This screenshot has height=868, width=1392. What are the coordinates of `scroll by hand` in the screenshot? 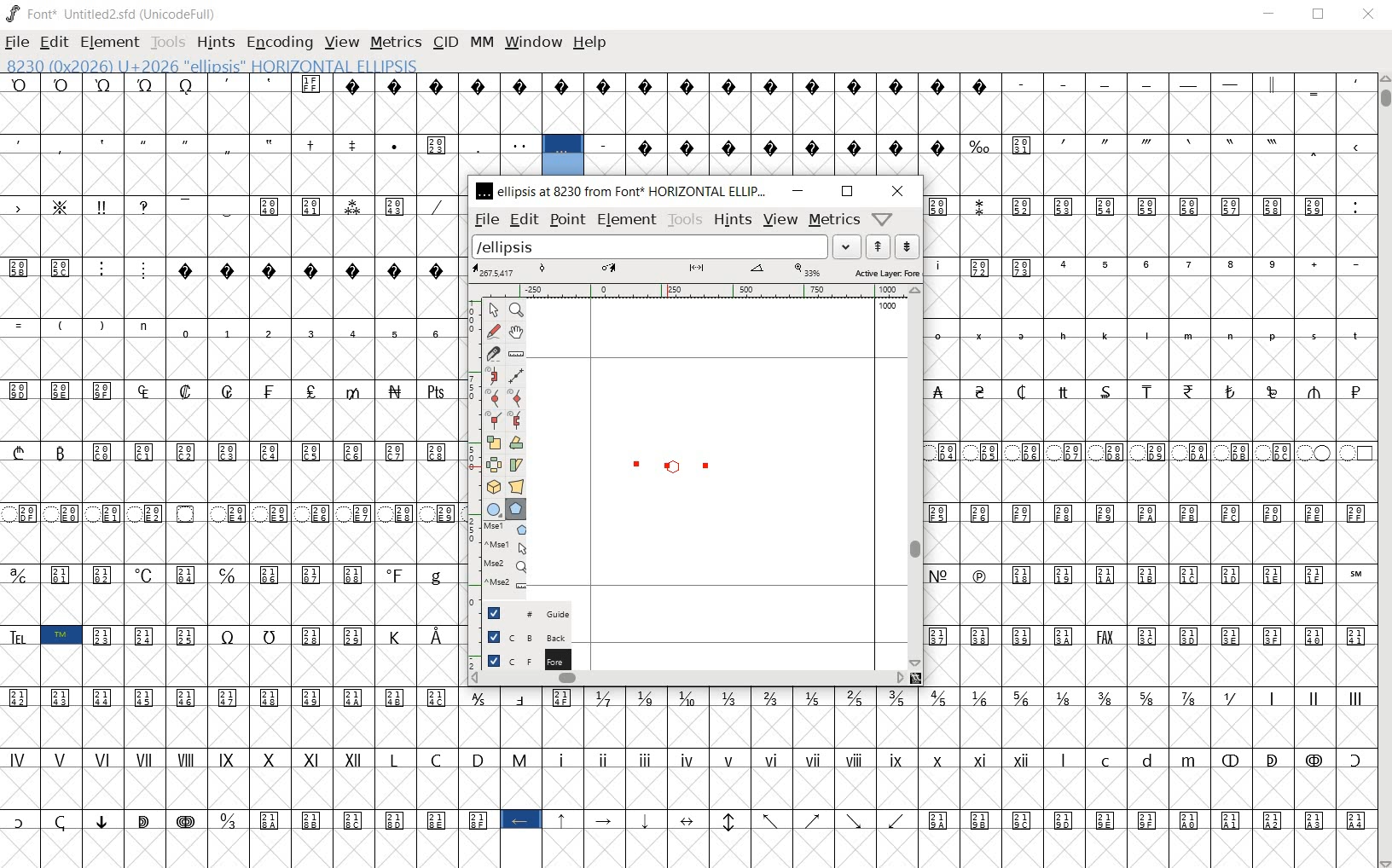 It's located at (518, 333).